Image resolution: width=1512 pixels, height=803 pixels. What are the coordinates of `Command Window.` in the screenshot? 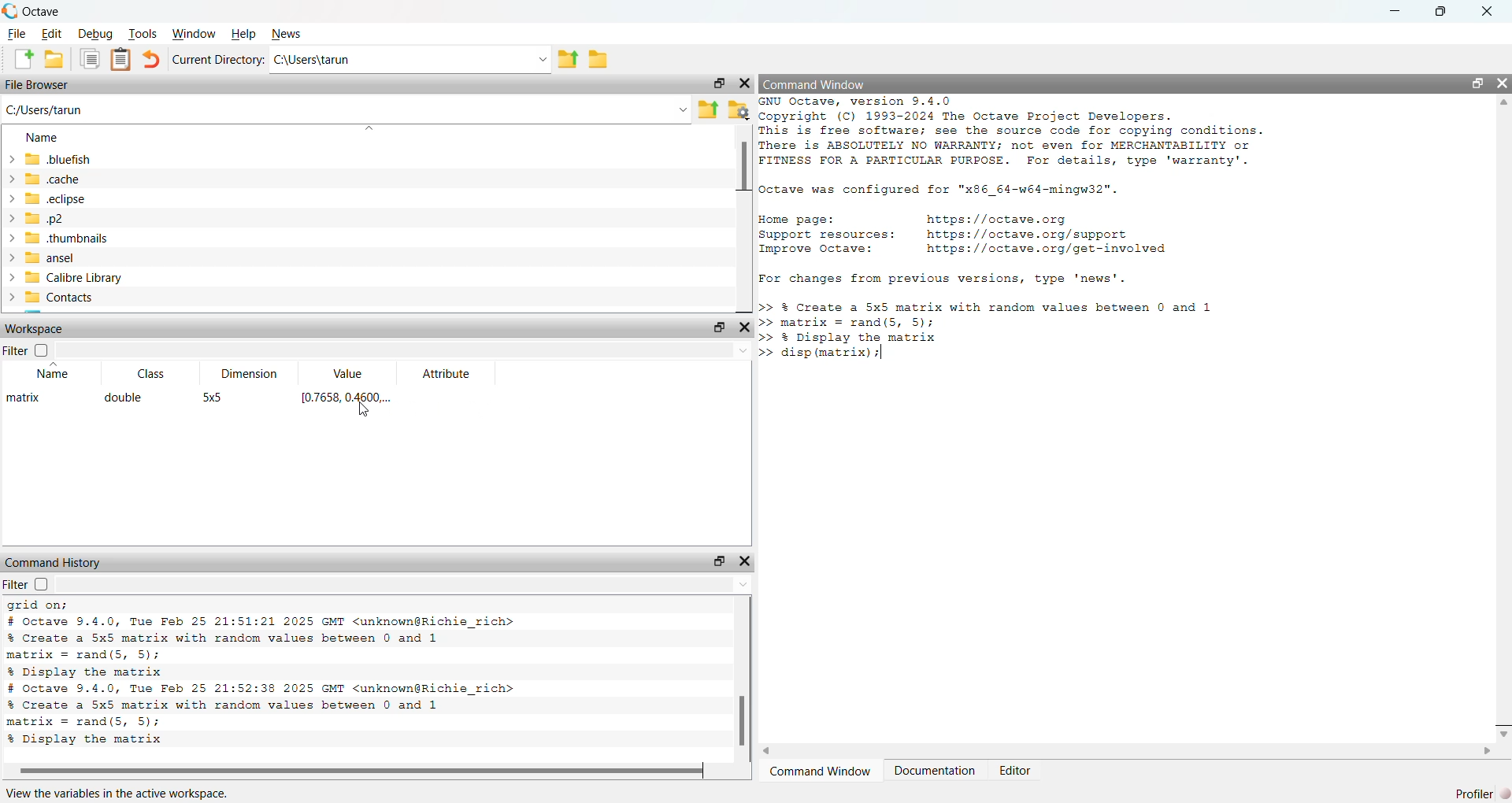 It's located at (813, 81).